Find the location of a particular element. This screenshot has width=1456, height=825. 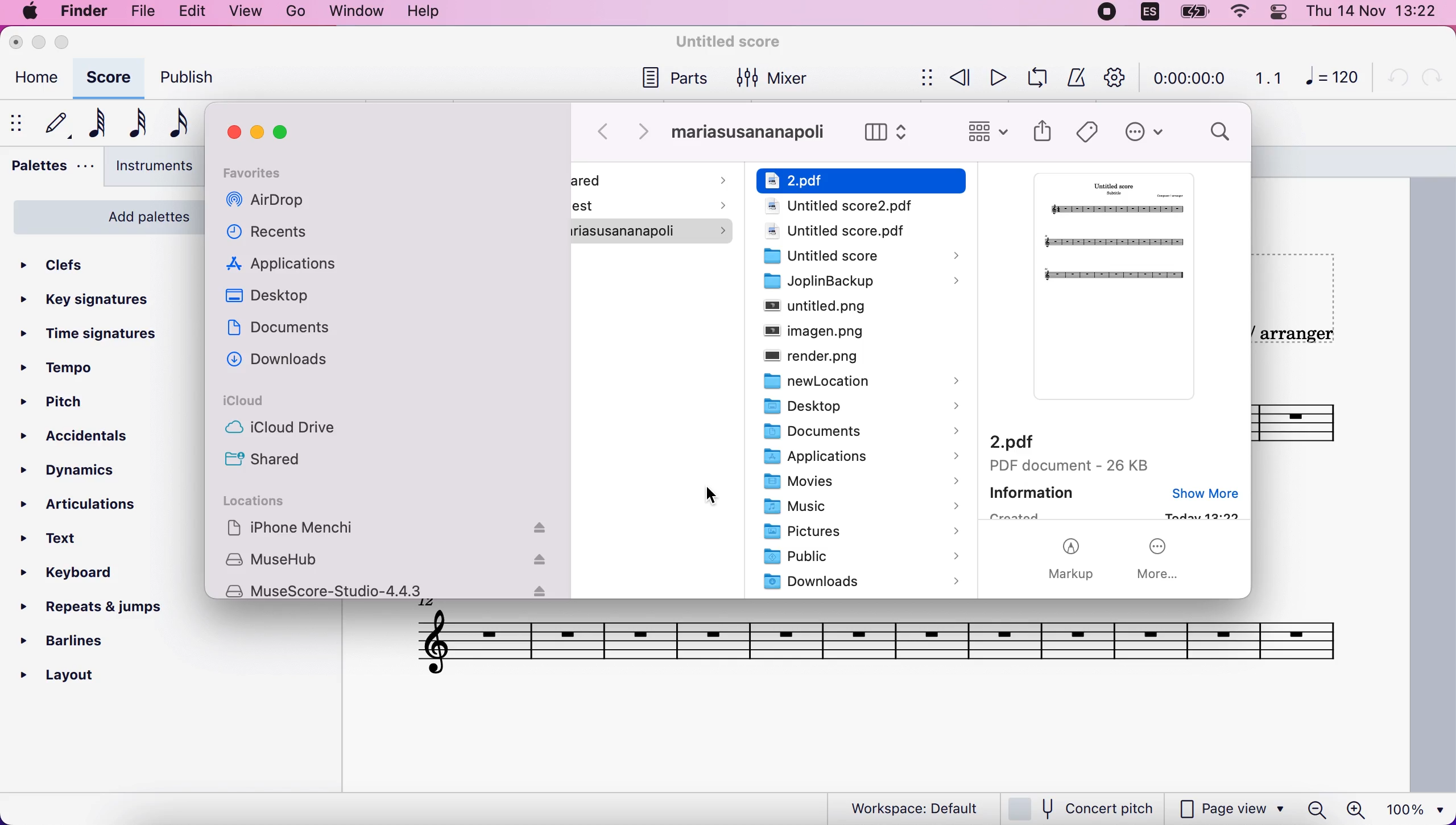

palettes is located at coordinates (49, 169).